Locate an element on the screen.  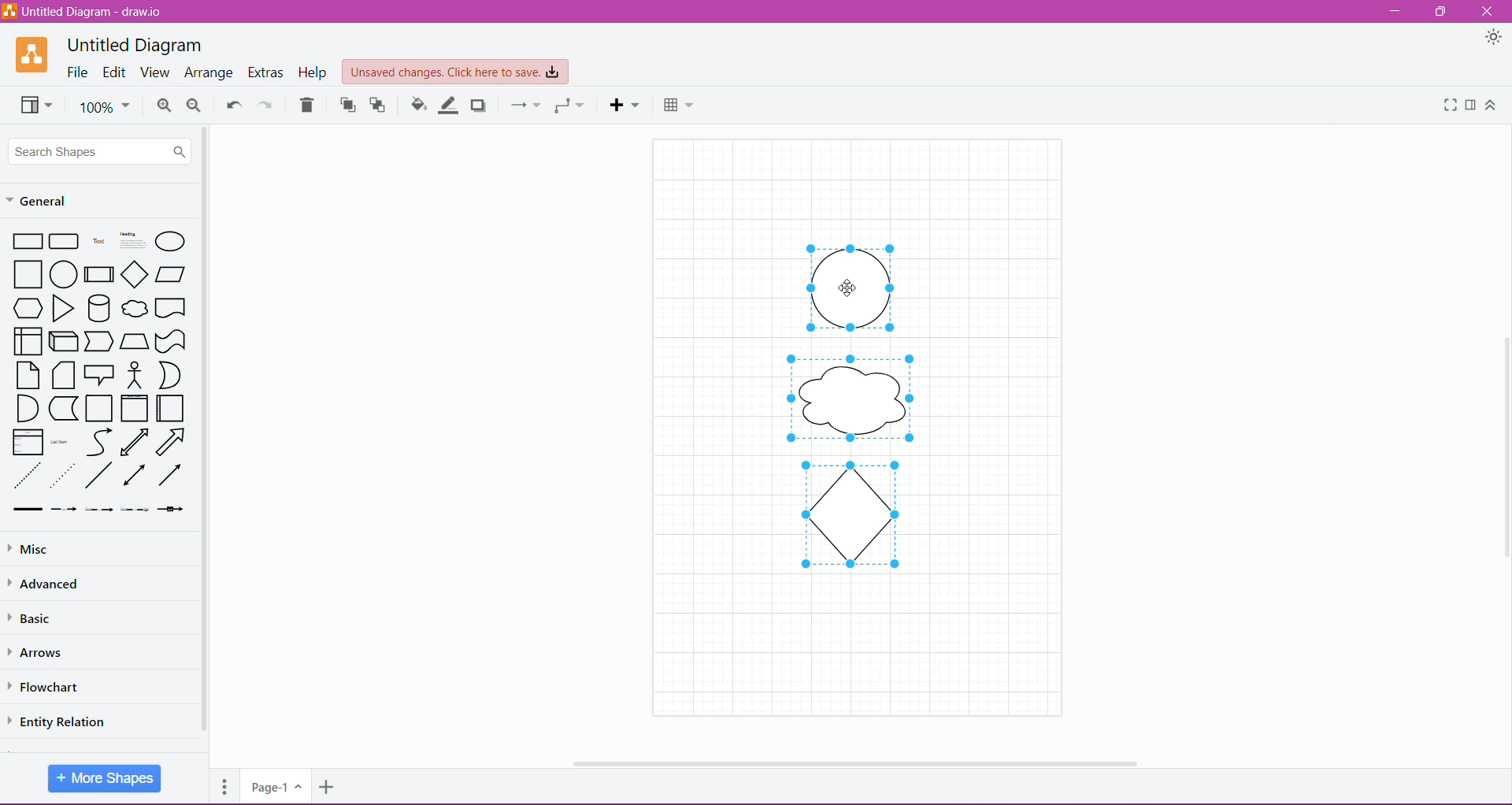
Horizontal Scroll Bar is located at coordinates (850, 759).